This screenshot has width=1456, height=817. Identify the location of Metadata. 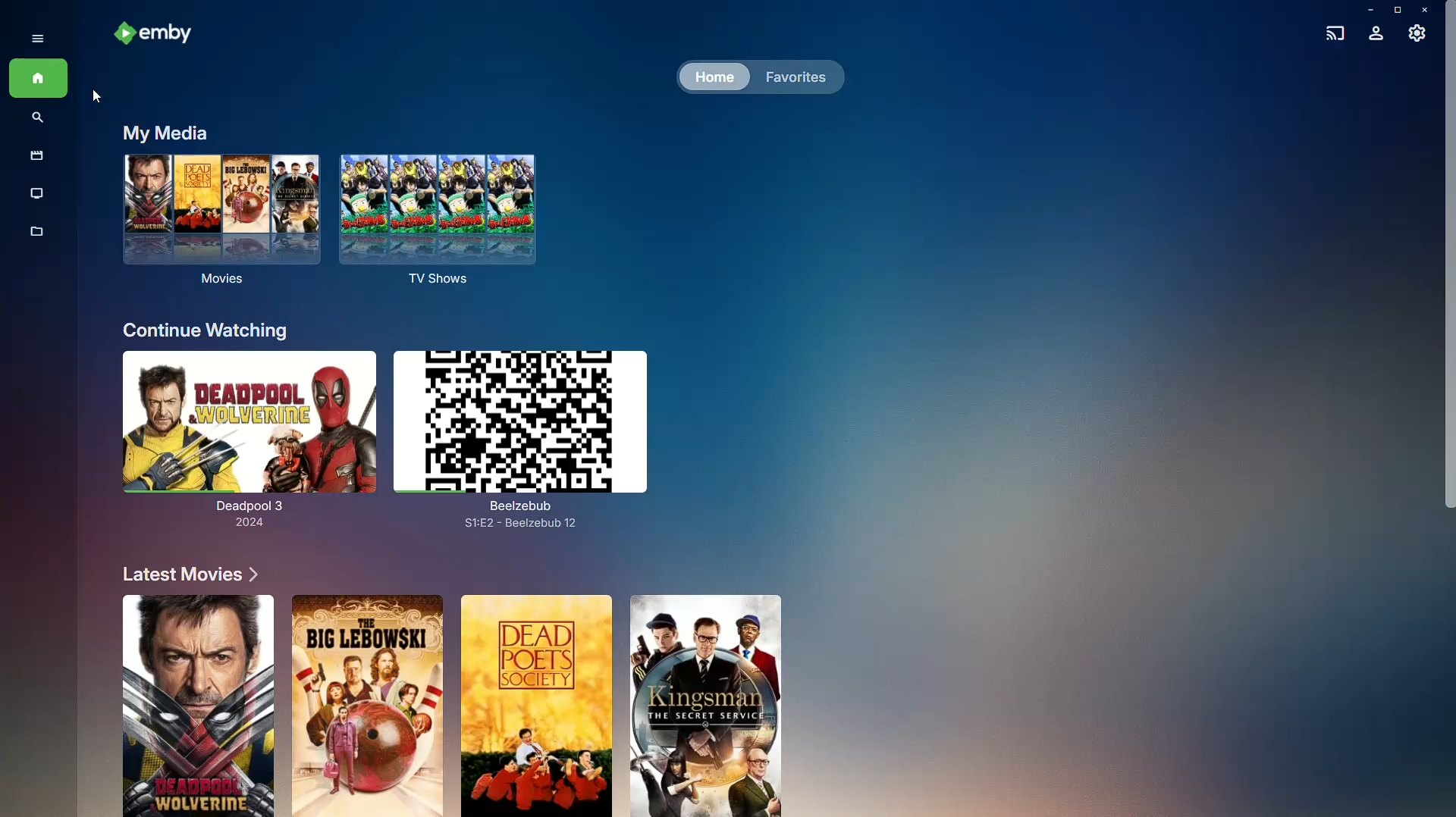
(38, 239).